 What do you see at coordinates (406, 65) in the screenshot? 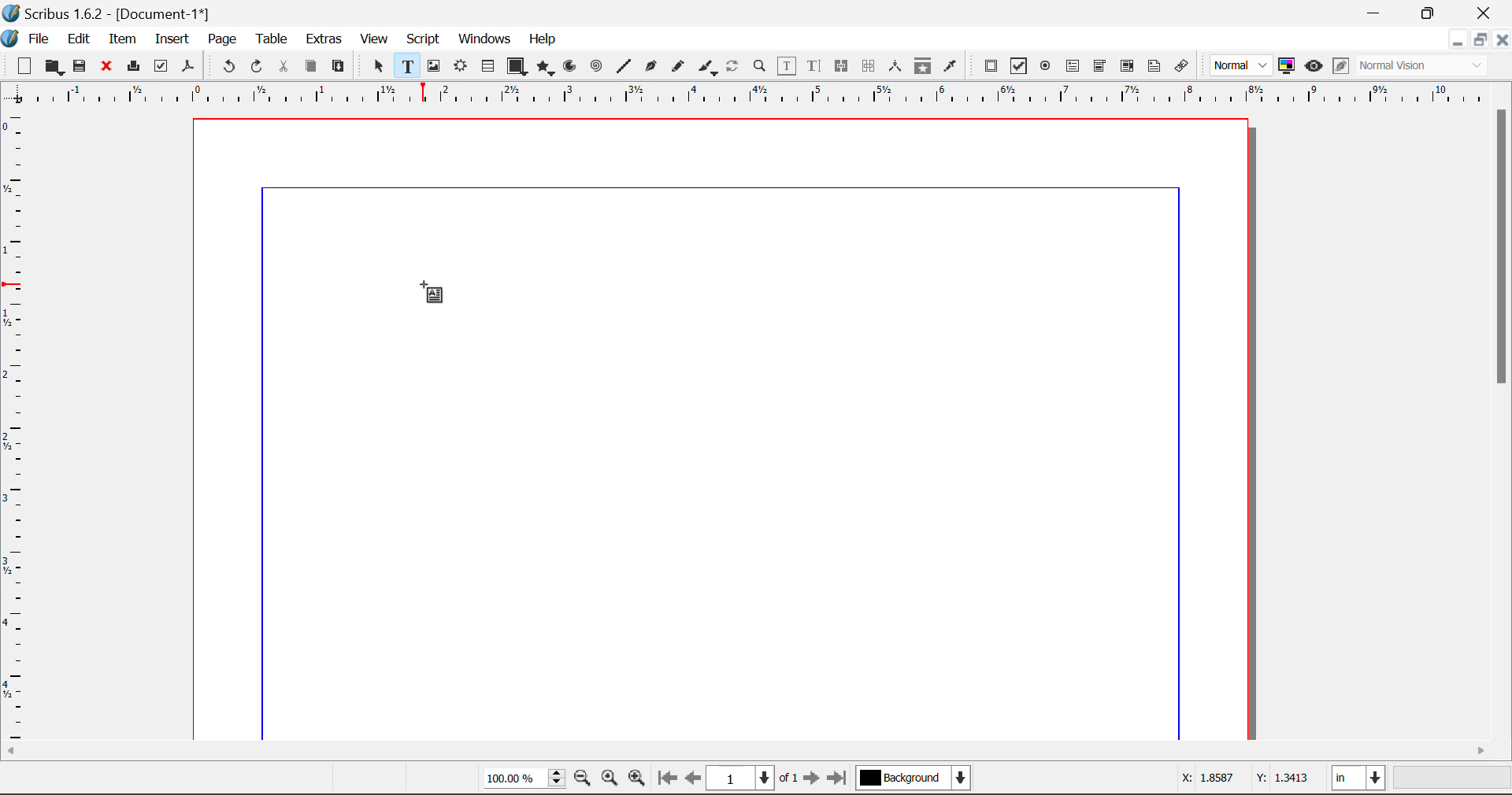
I see `Text Frame Selected` at bounding box center [406, 65].